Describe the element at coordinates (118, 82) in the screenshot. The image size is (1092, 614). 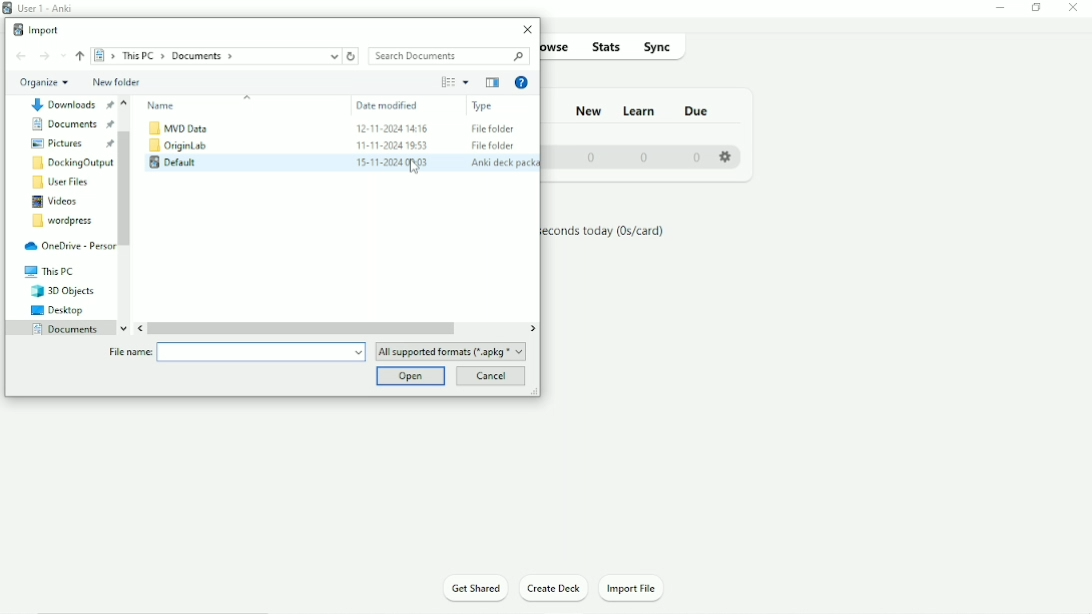
I see `New folder` at that location.